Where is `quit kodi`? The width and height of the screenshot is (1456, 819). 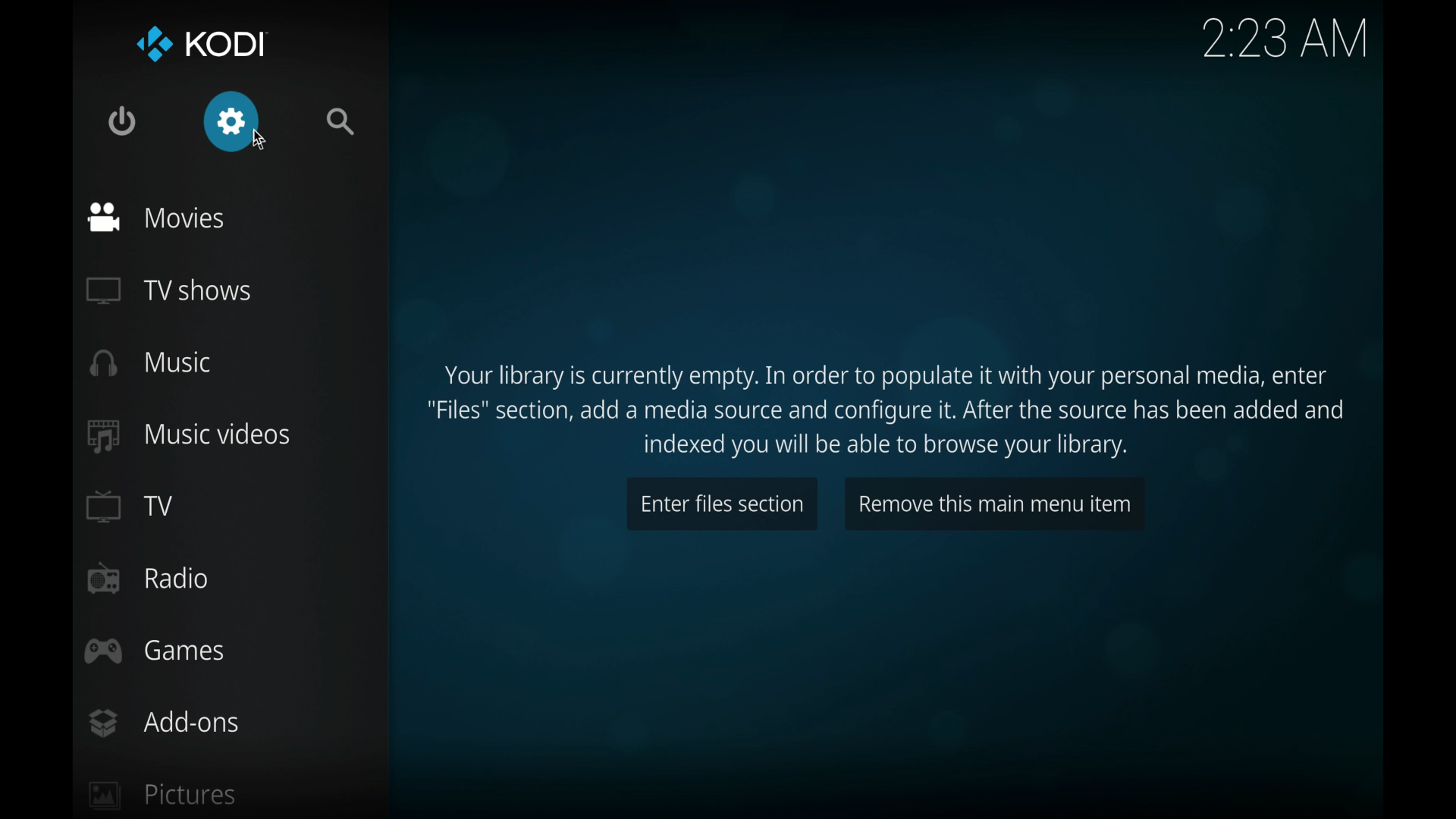 quit kodi is located at coordinates (121, 121).